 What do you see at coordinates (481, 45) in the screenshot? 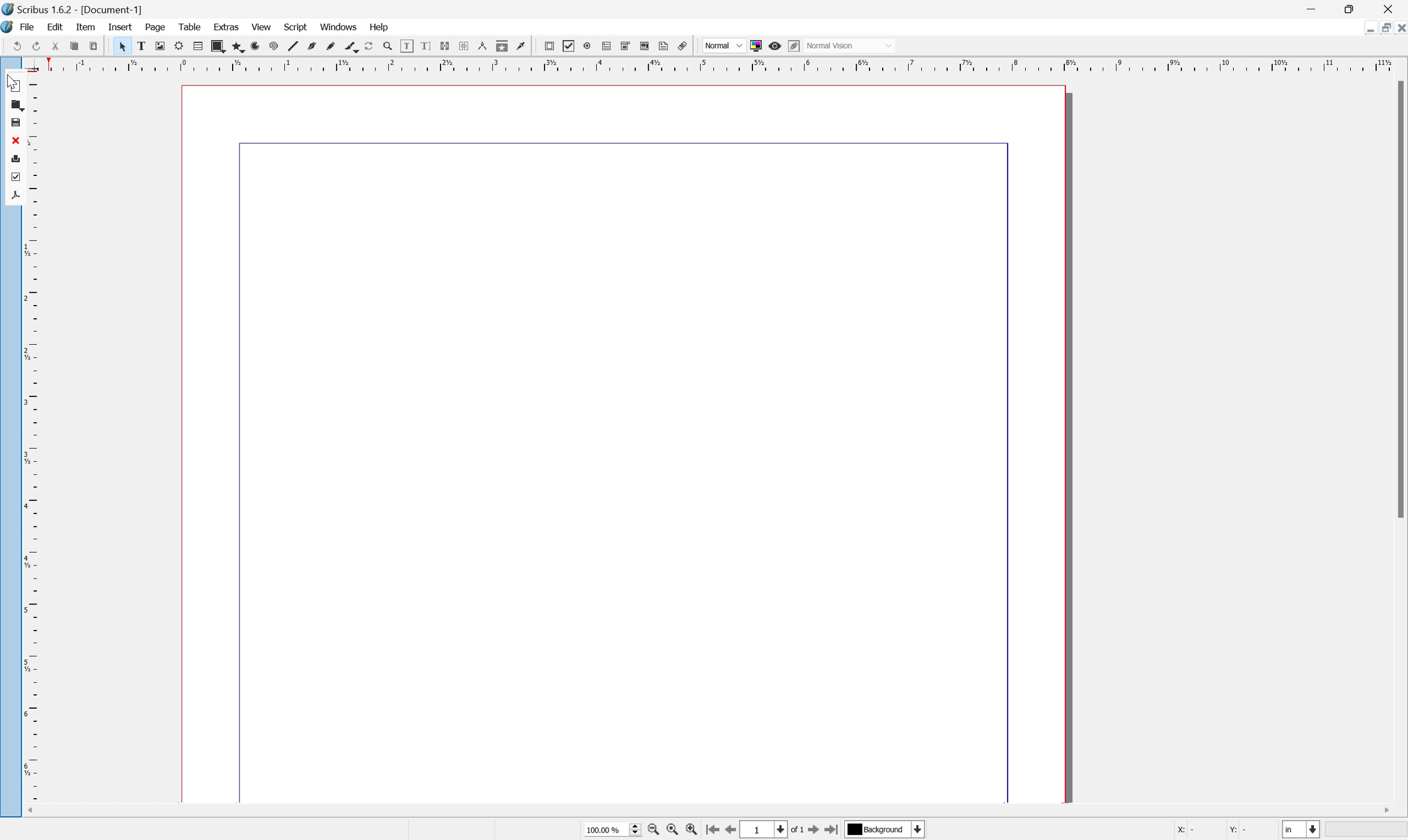
I see `calligraphy line` at bounding box center [481, 45].